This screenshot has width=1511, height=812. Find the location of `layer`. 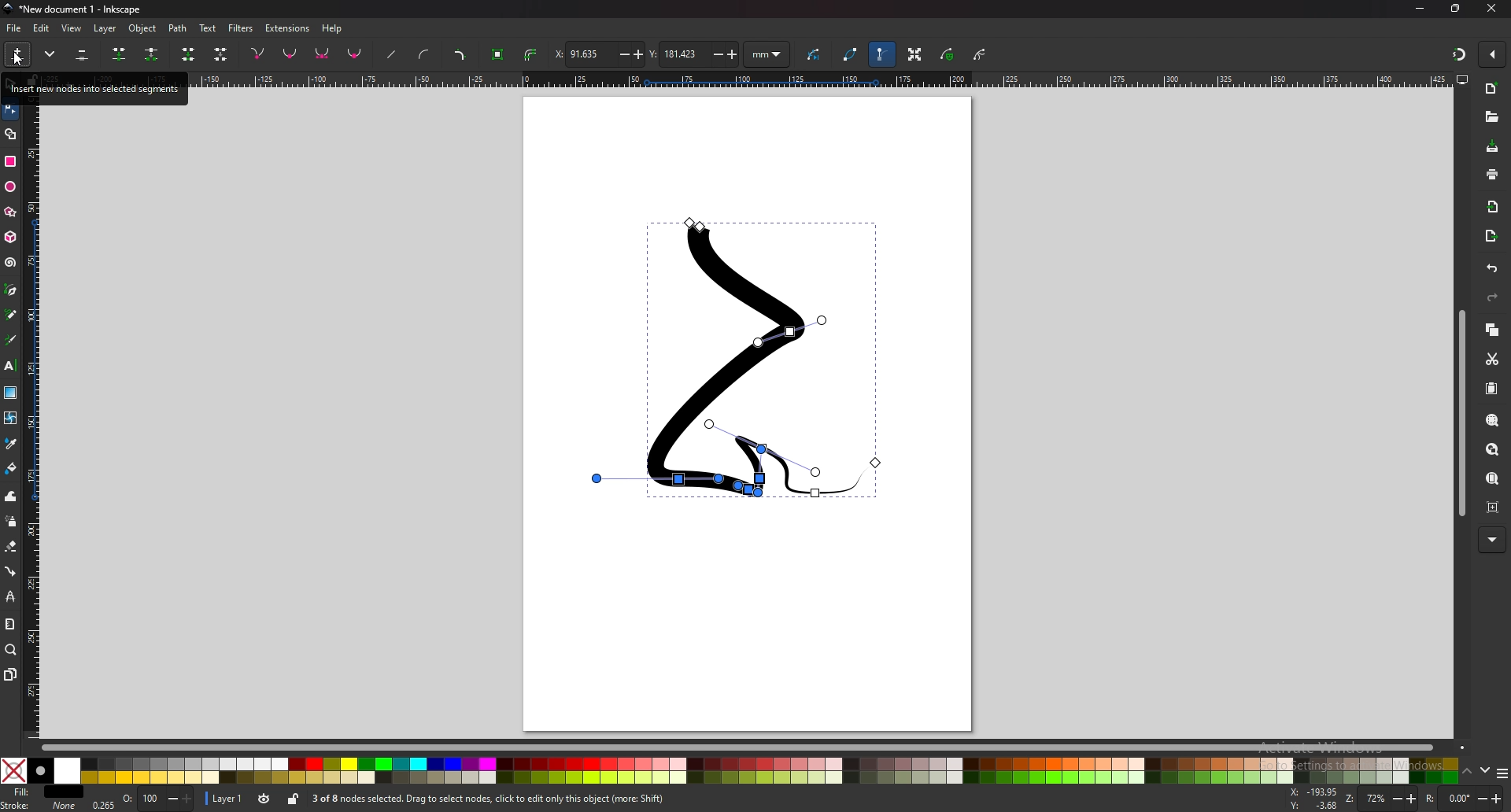

layer is located at coordinates (105, 28).